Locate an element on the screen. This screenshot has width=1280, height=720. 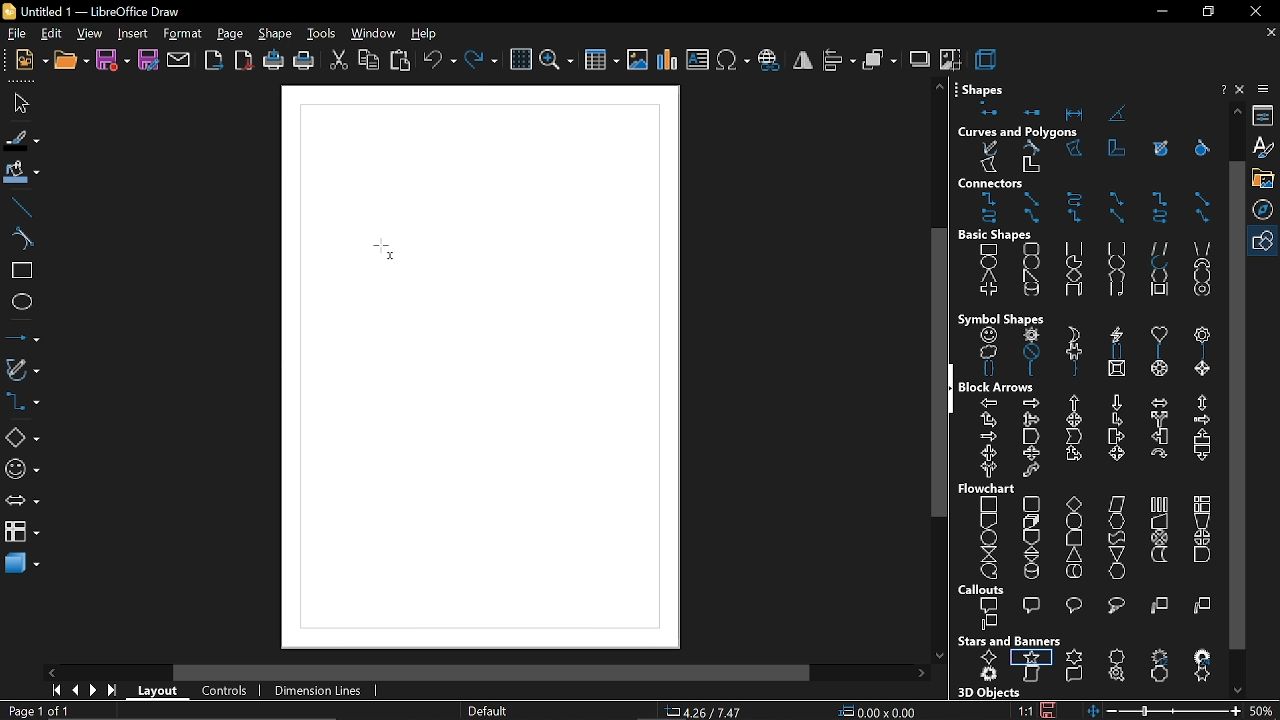
layout is located at coordinates (161, 692).